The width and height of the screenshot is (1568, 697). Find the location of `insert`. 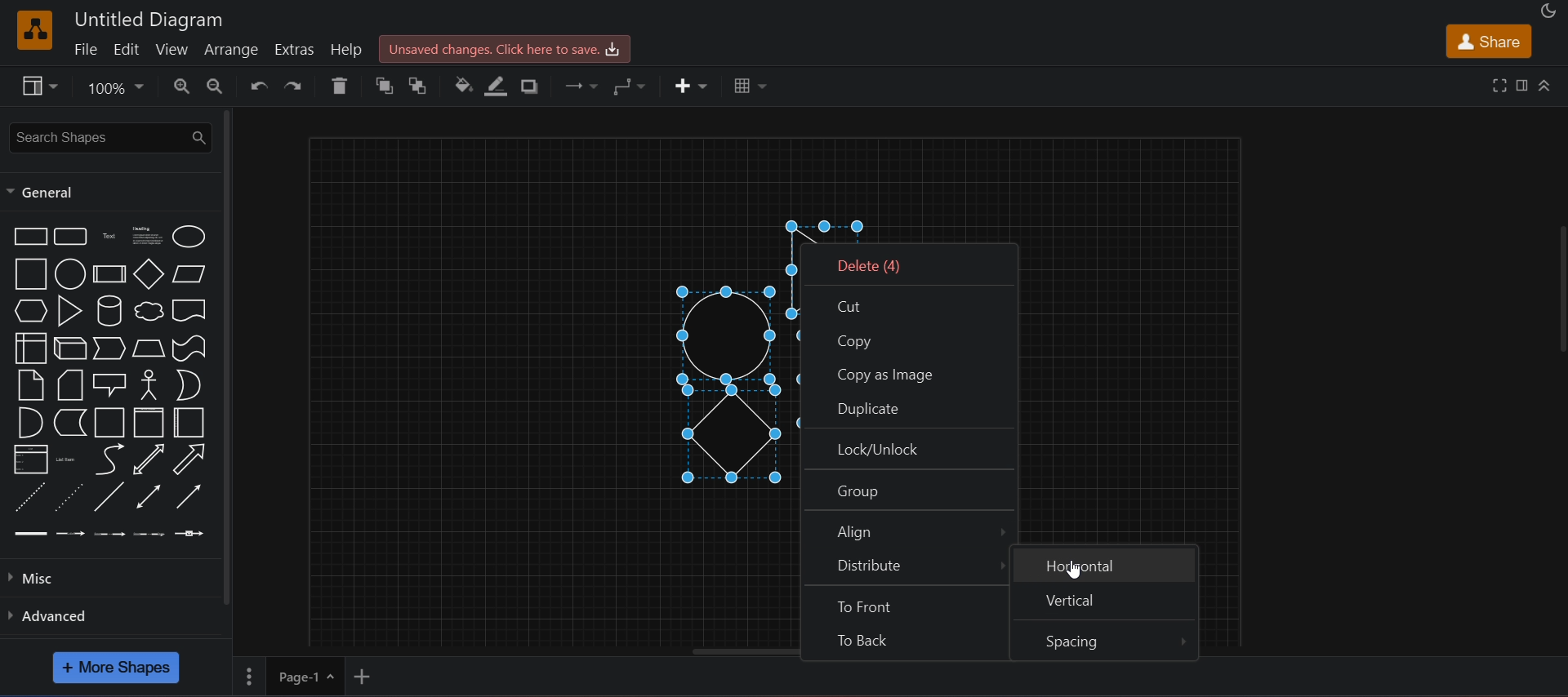

insert is located at coordinates (689, 84).